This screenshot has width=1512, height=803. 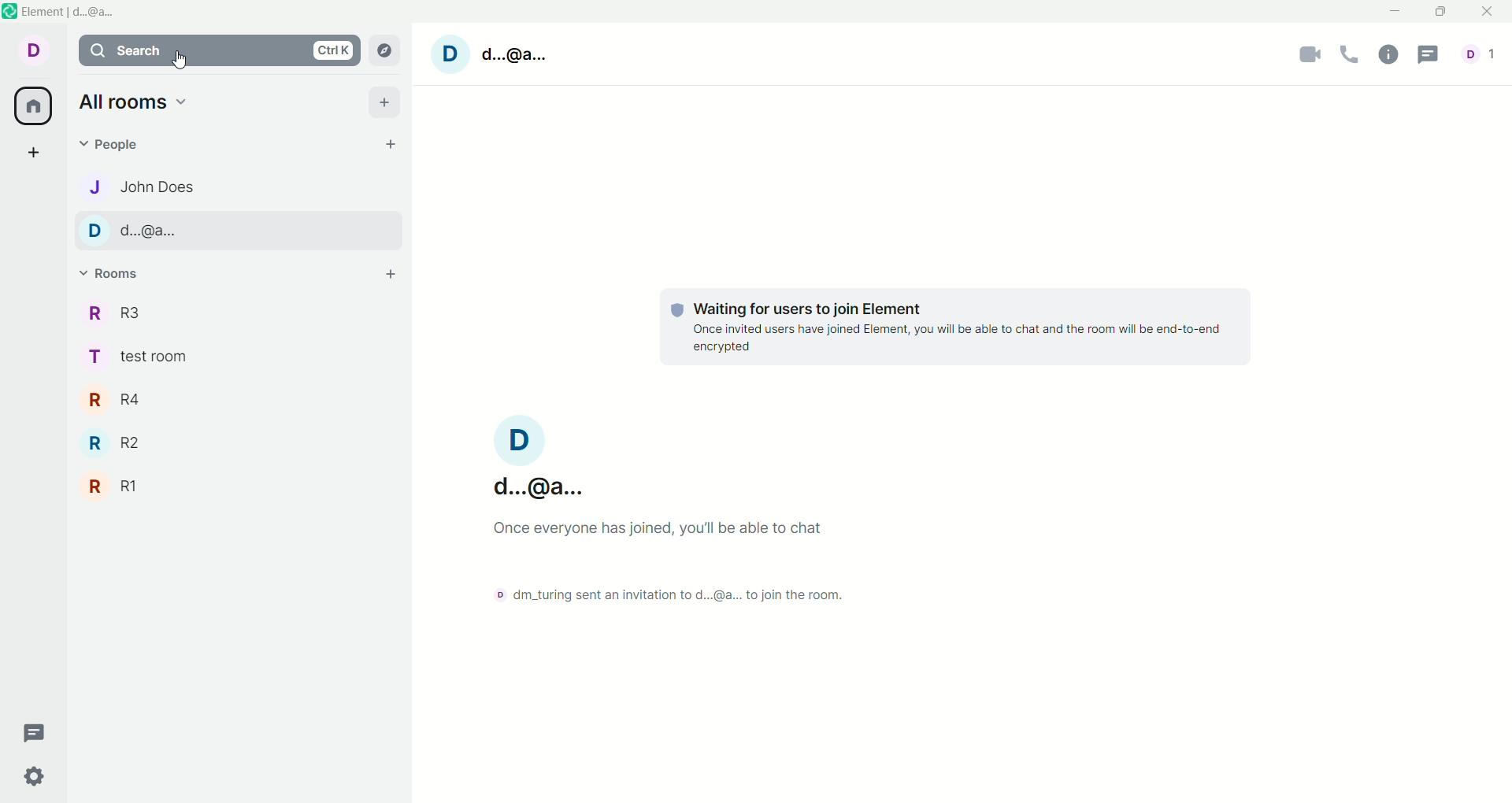 What do you see at coordinates (69, 12) in the screenshot?
I see `Element | d..@a...` at bounding box center [69, 12].